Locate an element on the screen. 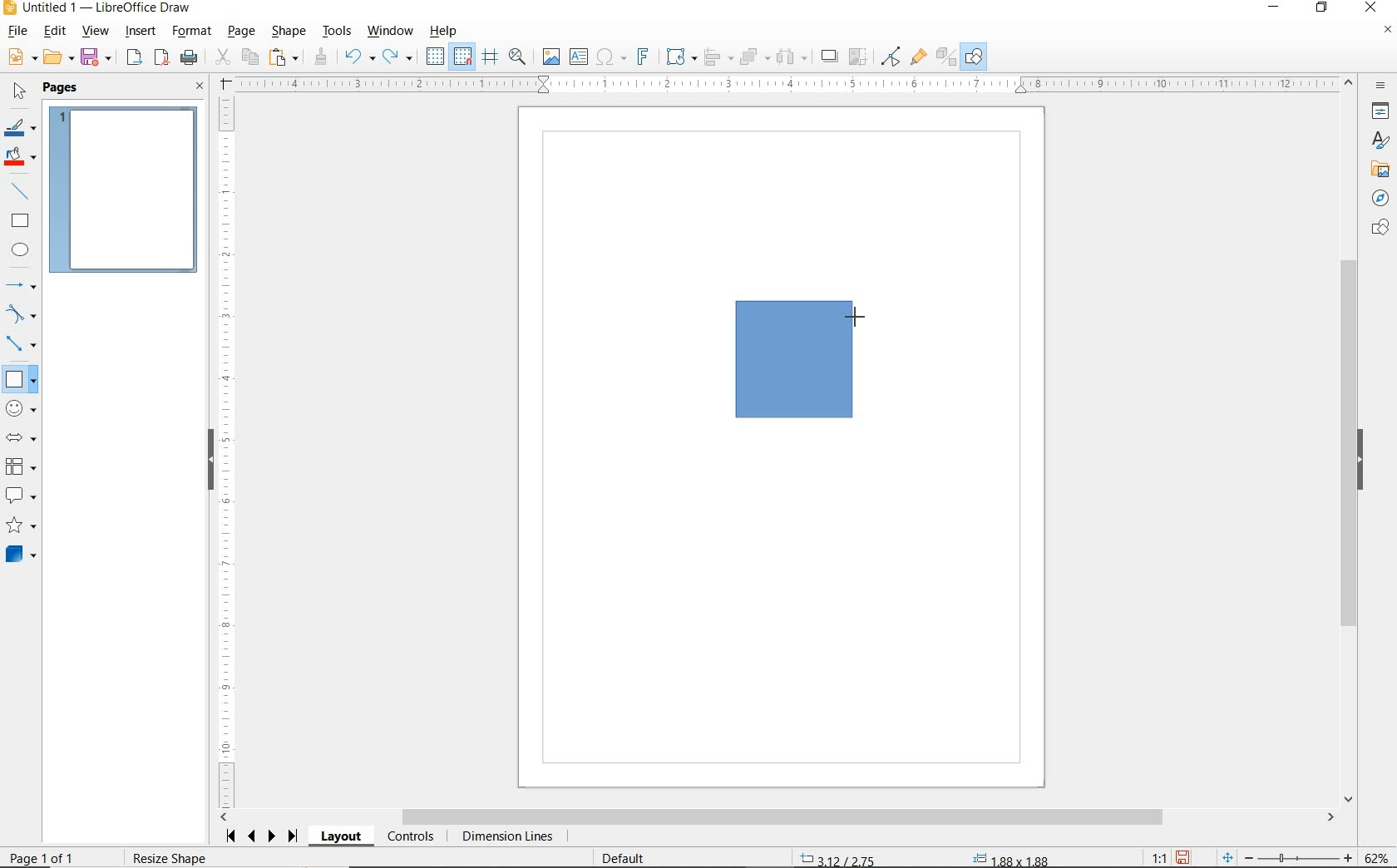  INSERT LINE is located at coordinates (22, 191).